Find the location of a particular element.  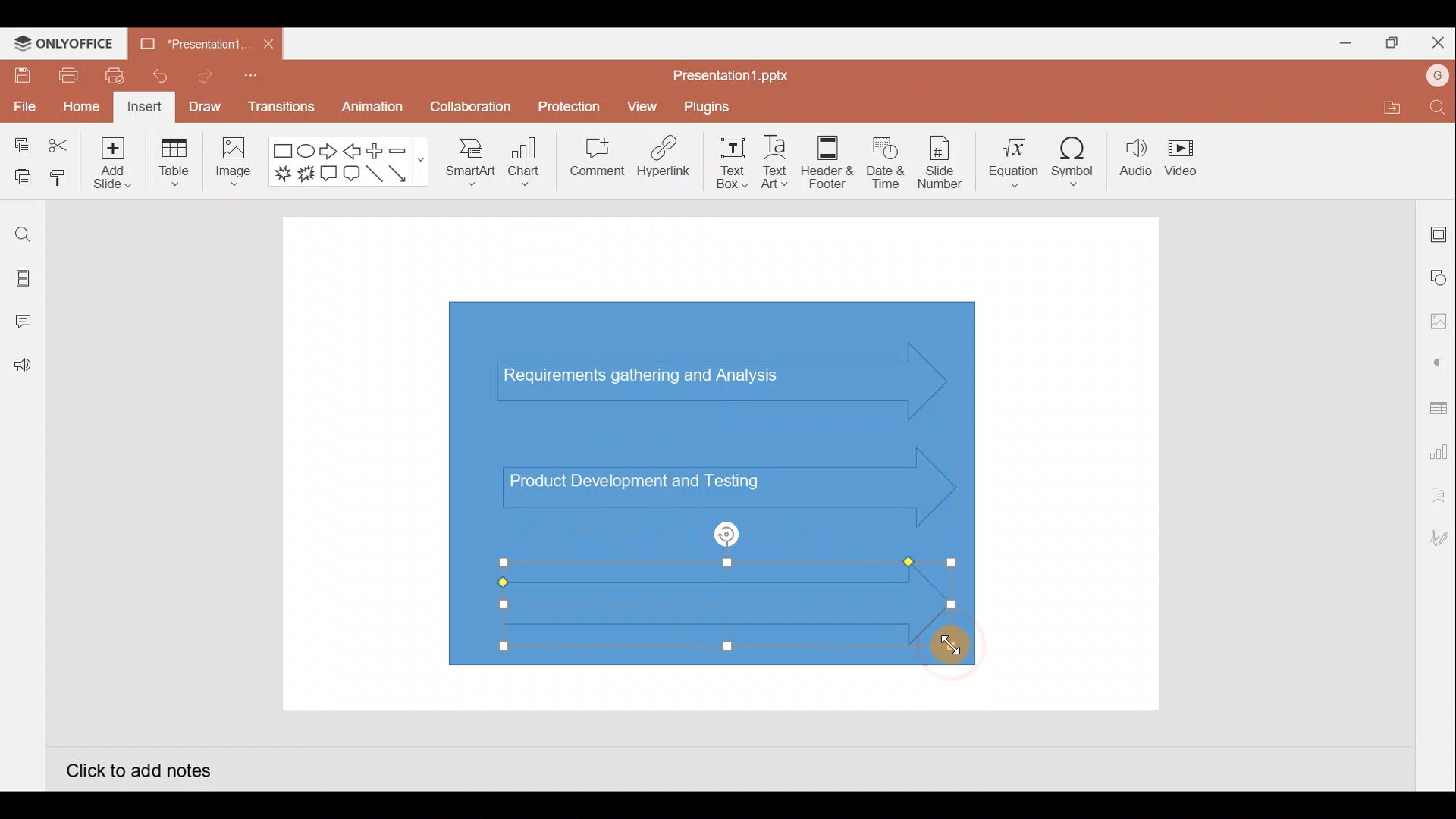

Close document is located at coordinates (268, 40).